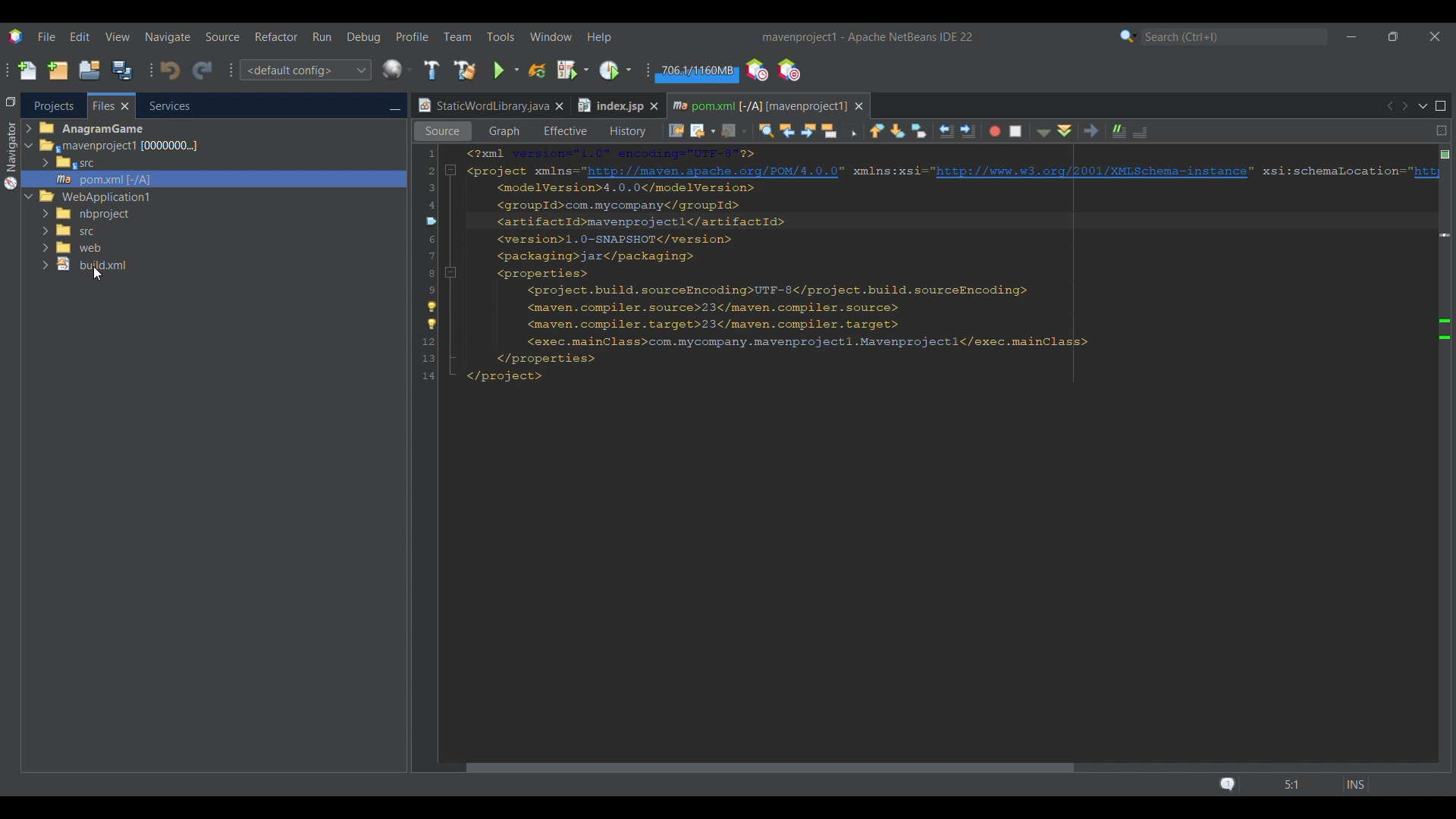  I want to click on Current tab highlighted, so click(758, 104).